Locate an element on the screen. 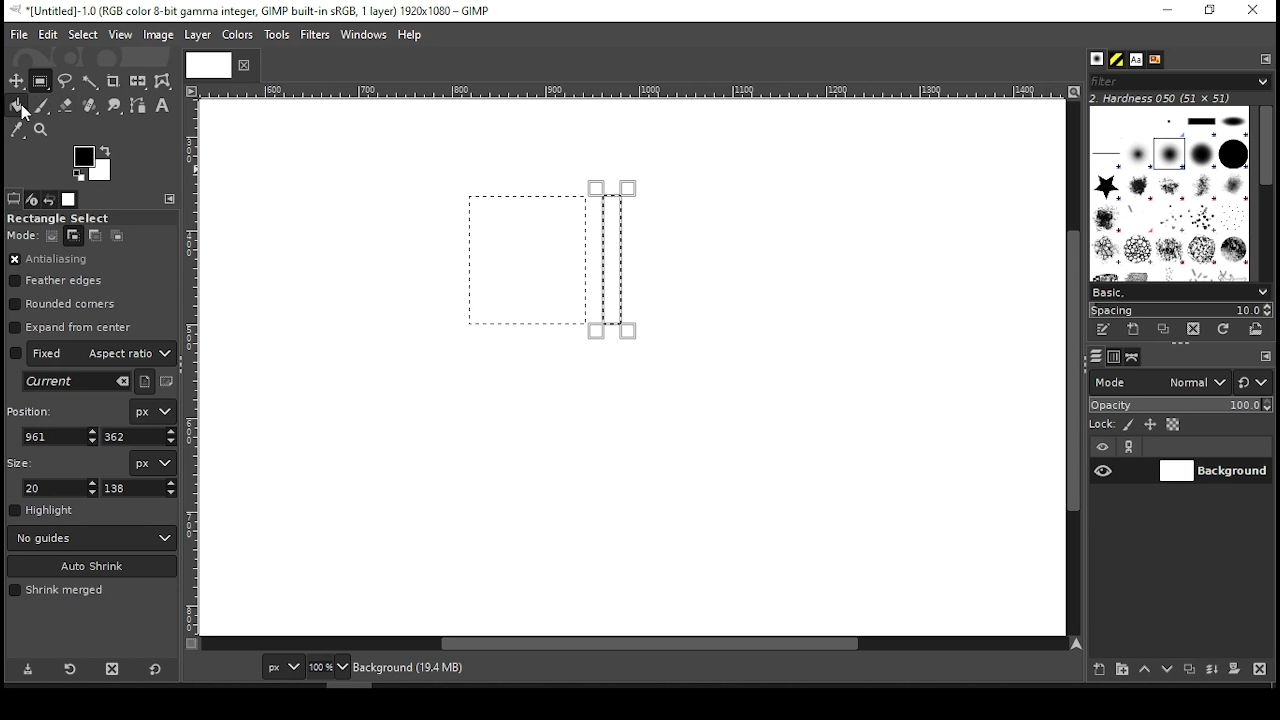 Image resolution: width=1280 pixels, height=720 pixels. rectangular selection tool is located at coordinates (43, 81).